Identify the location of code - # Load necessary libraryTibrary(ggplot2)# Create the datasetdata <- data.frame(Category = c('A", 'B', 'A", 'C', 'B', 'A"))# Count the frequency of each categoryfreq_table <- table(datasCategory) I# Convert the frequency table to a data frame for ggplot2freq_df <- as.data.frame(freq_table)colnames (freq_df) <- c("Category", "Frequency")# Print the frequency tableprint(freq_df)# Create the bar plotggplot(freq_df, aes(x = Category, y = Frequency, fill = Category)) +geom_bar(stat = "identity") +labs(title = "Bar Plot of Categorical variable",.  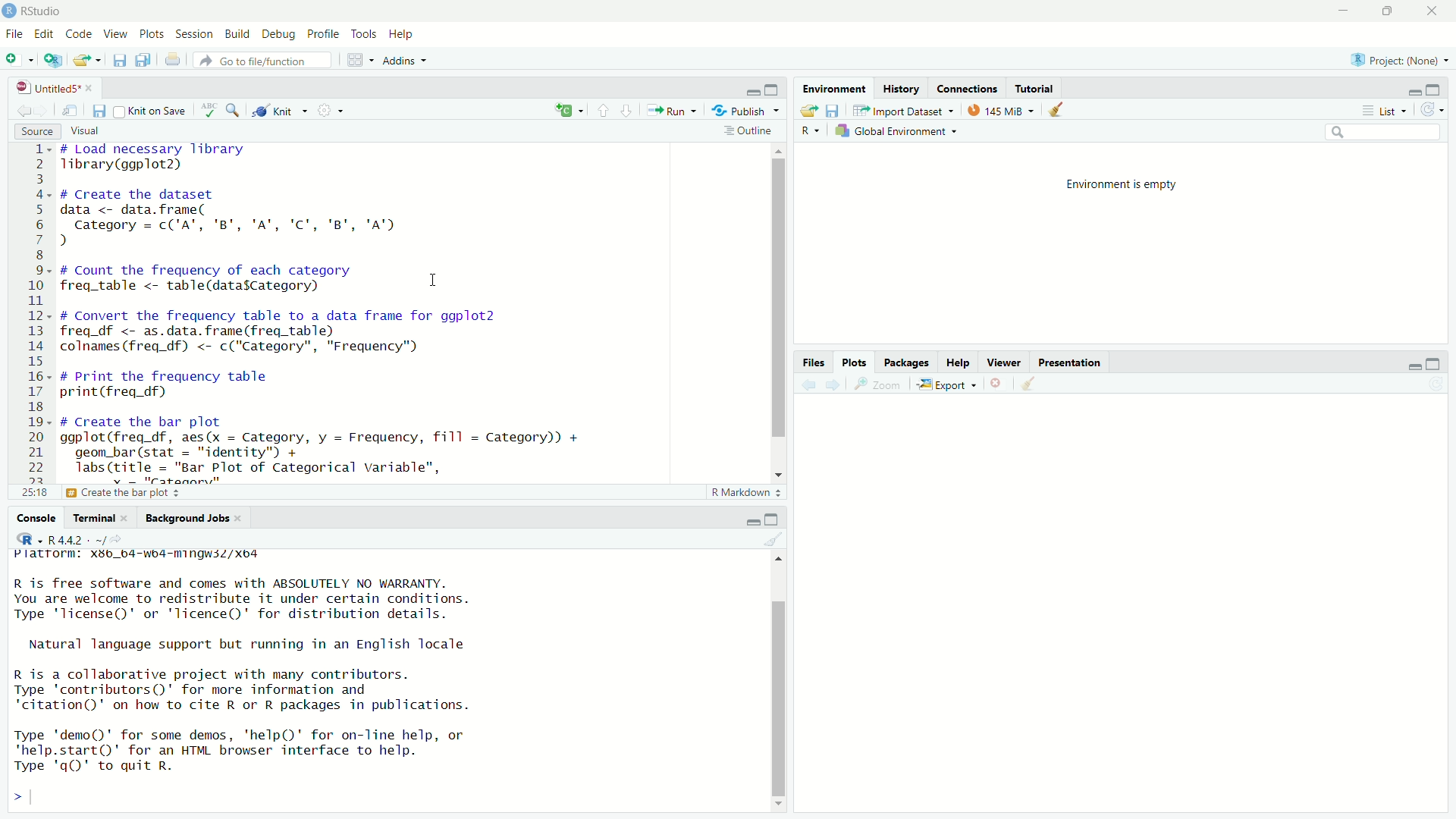
(365, 313).